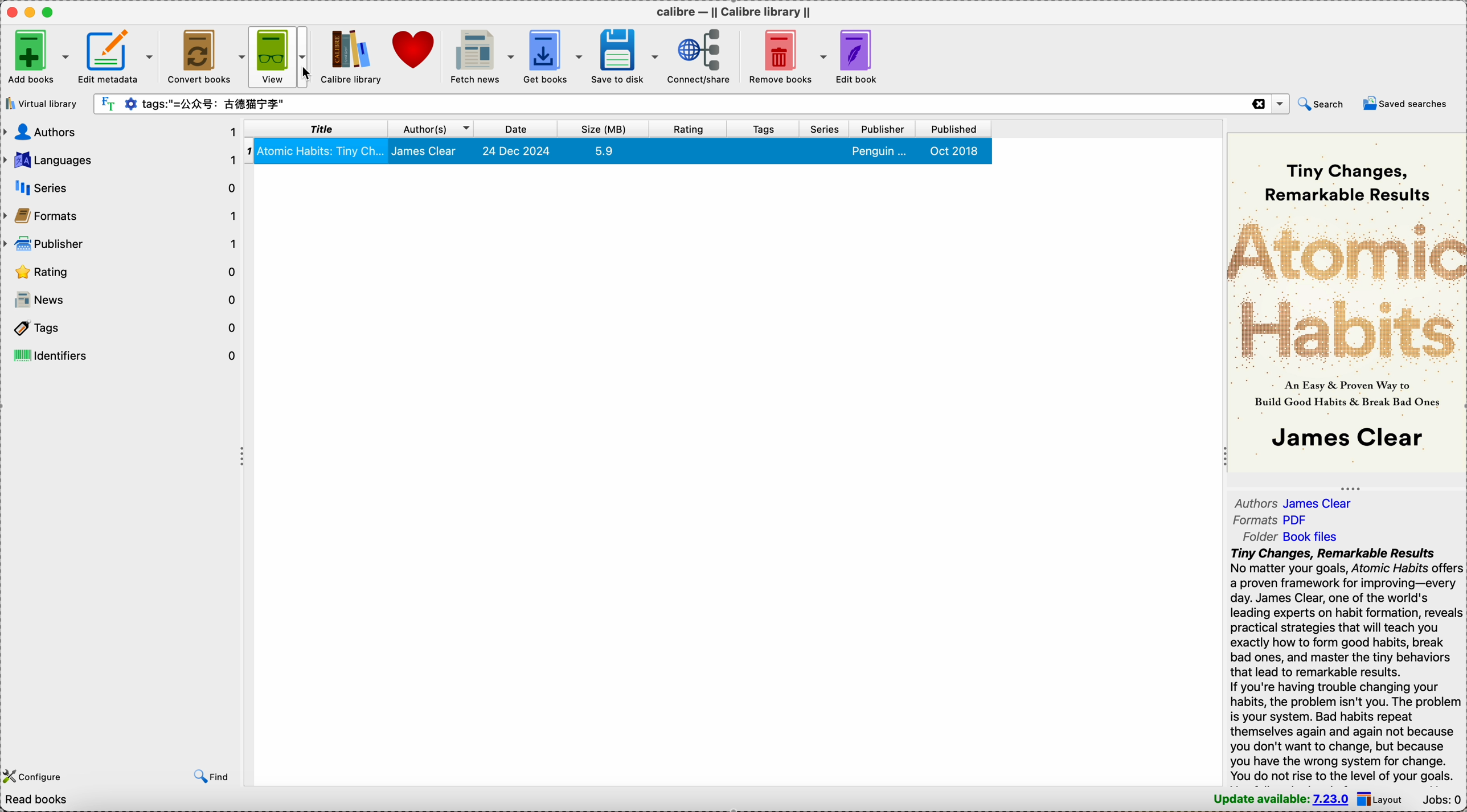 This screenshot has width=1467, height=812. What do you see at coordinates (121, 215) in the screenshot?
I see `formats` at bounding box center [121, 215].